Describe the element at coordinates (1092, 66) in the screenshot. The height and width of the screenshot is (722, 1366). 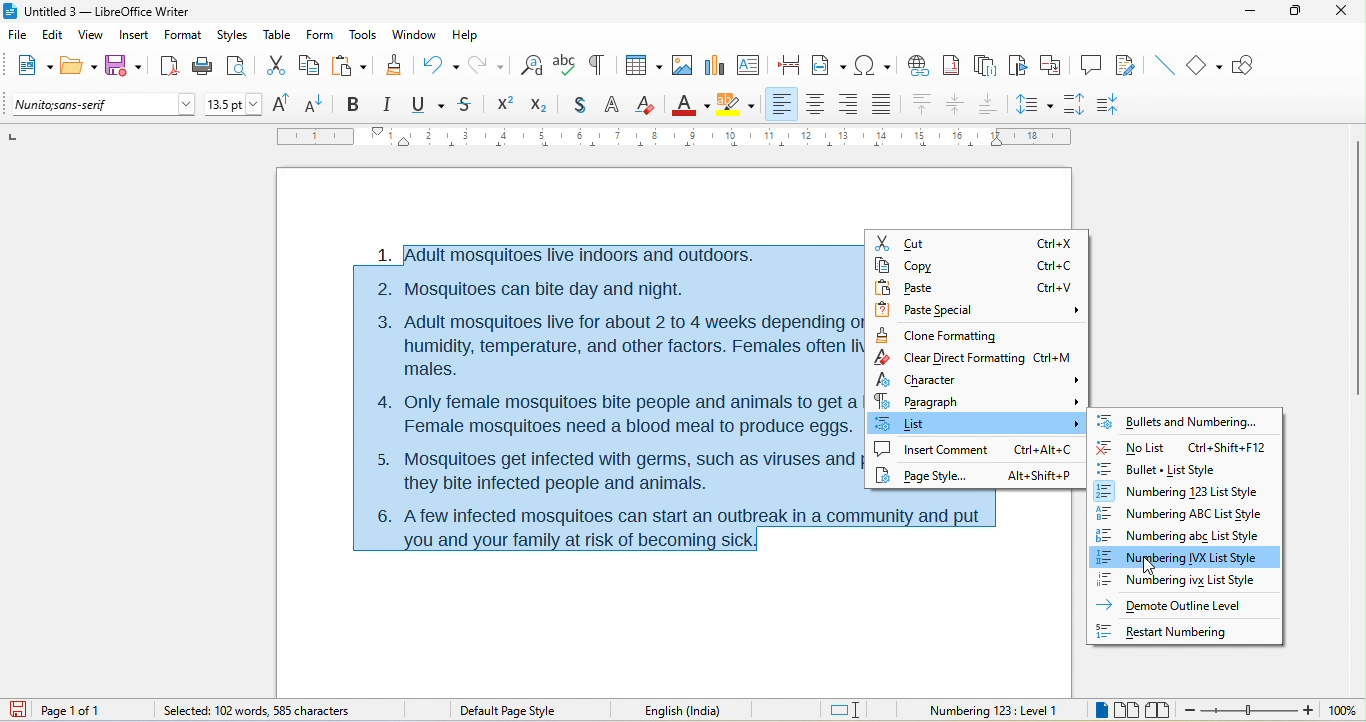
I see `comment` at that location.